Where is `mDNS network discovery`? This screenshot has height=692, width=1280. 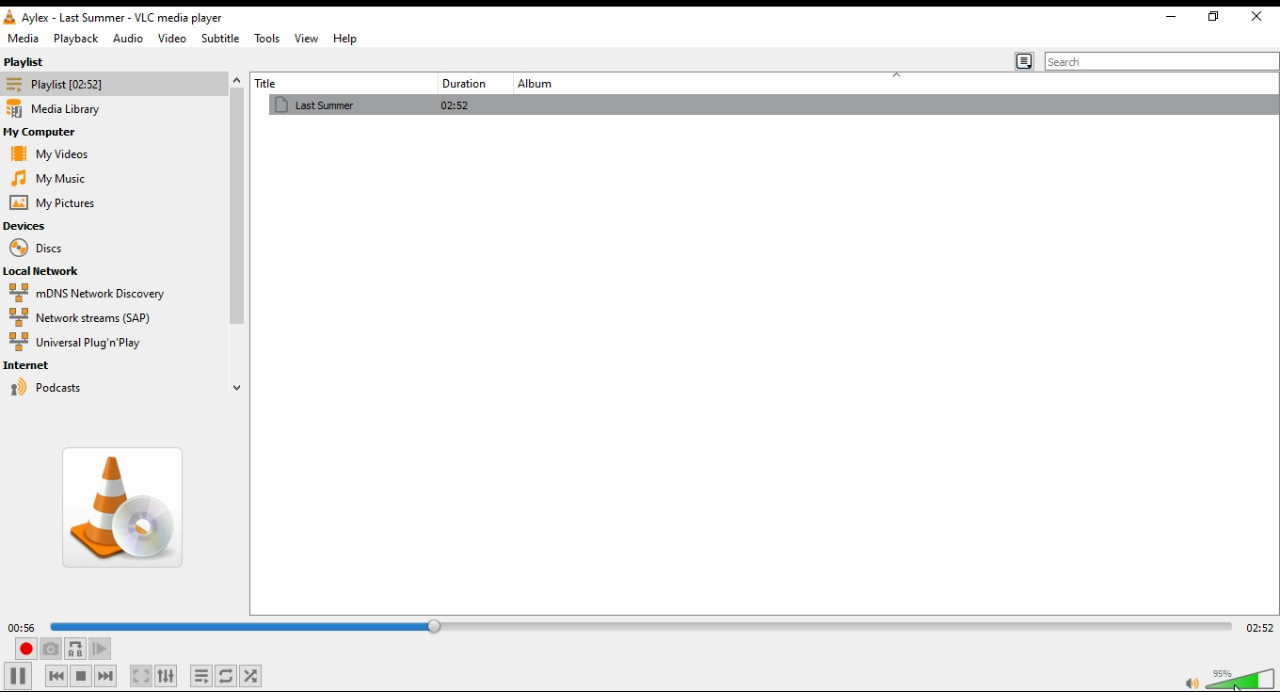 mDNS network discovery is located at coordinates (93, 293).